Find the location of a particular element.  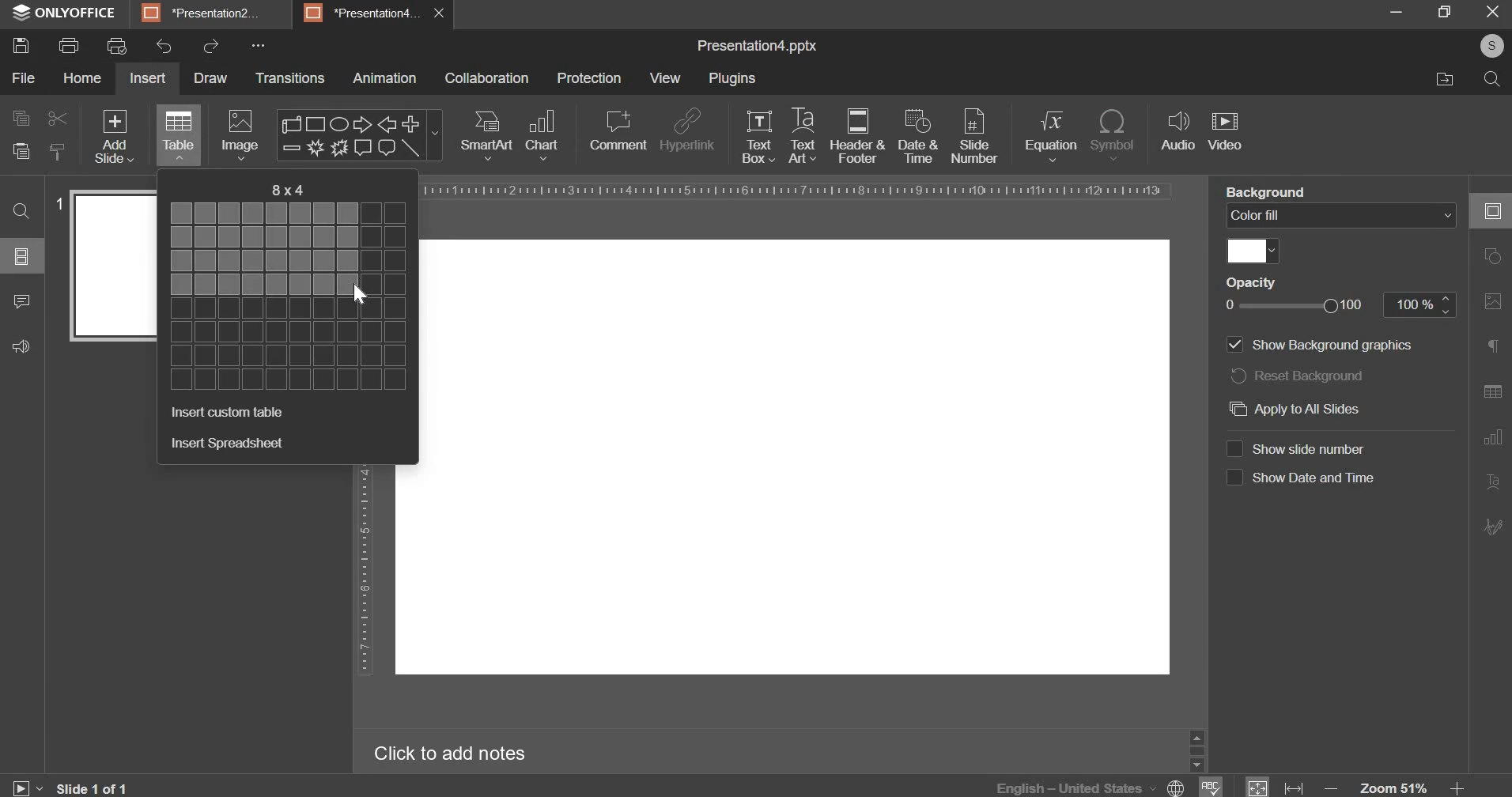

print preview is located at coordinates (117, 47).